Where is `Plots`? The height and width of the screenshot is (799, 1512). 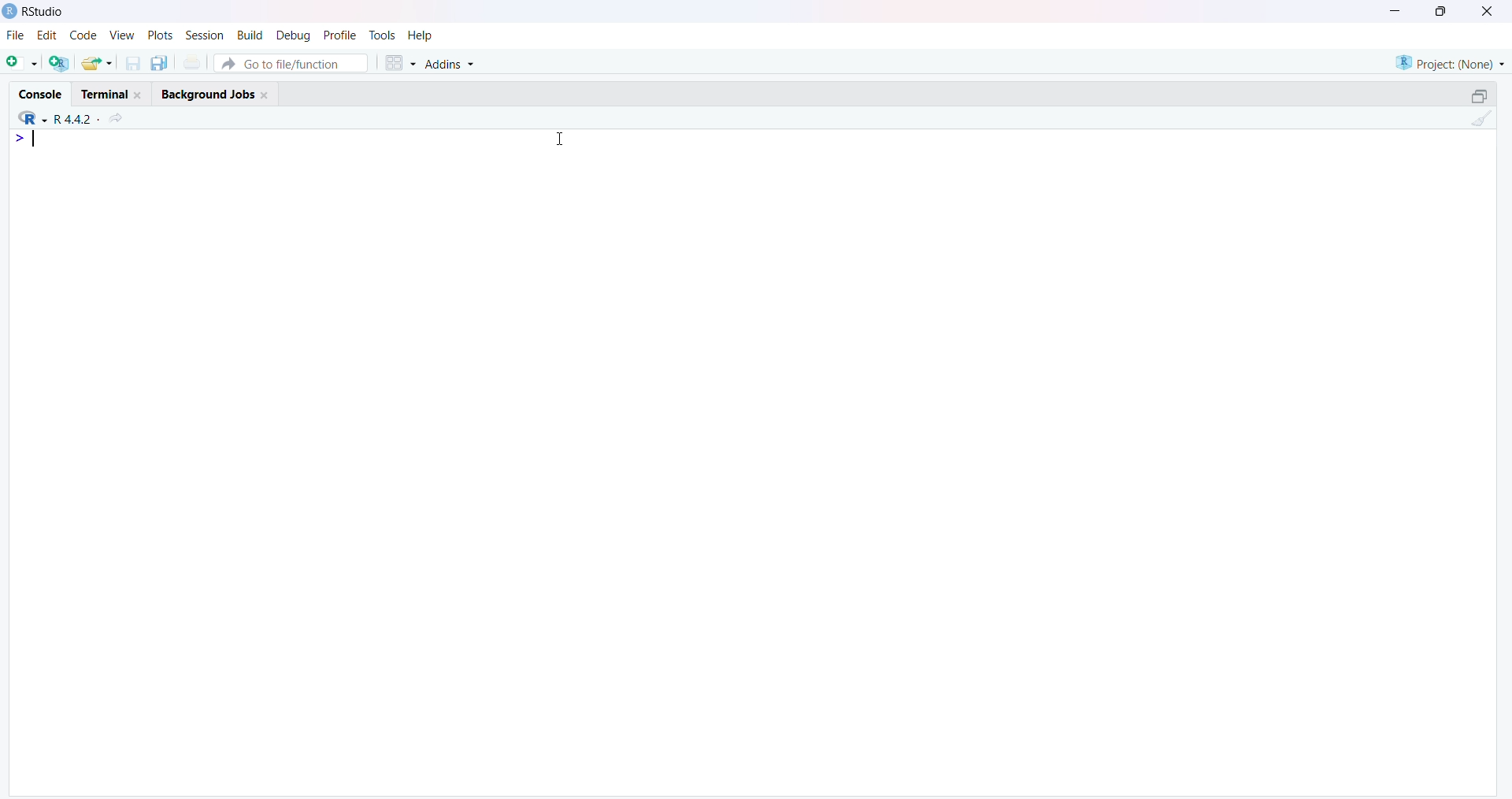
Plots is located at coordinates (158, 35).